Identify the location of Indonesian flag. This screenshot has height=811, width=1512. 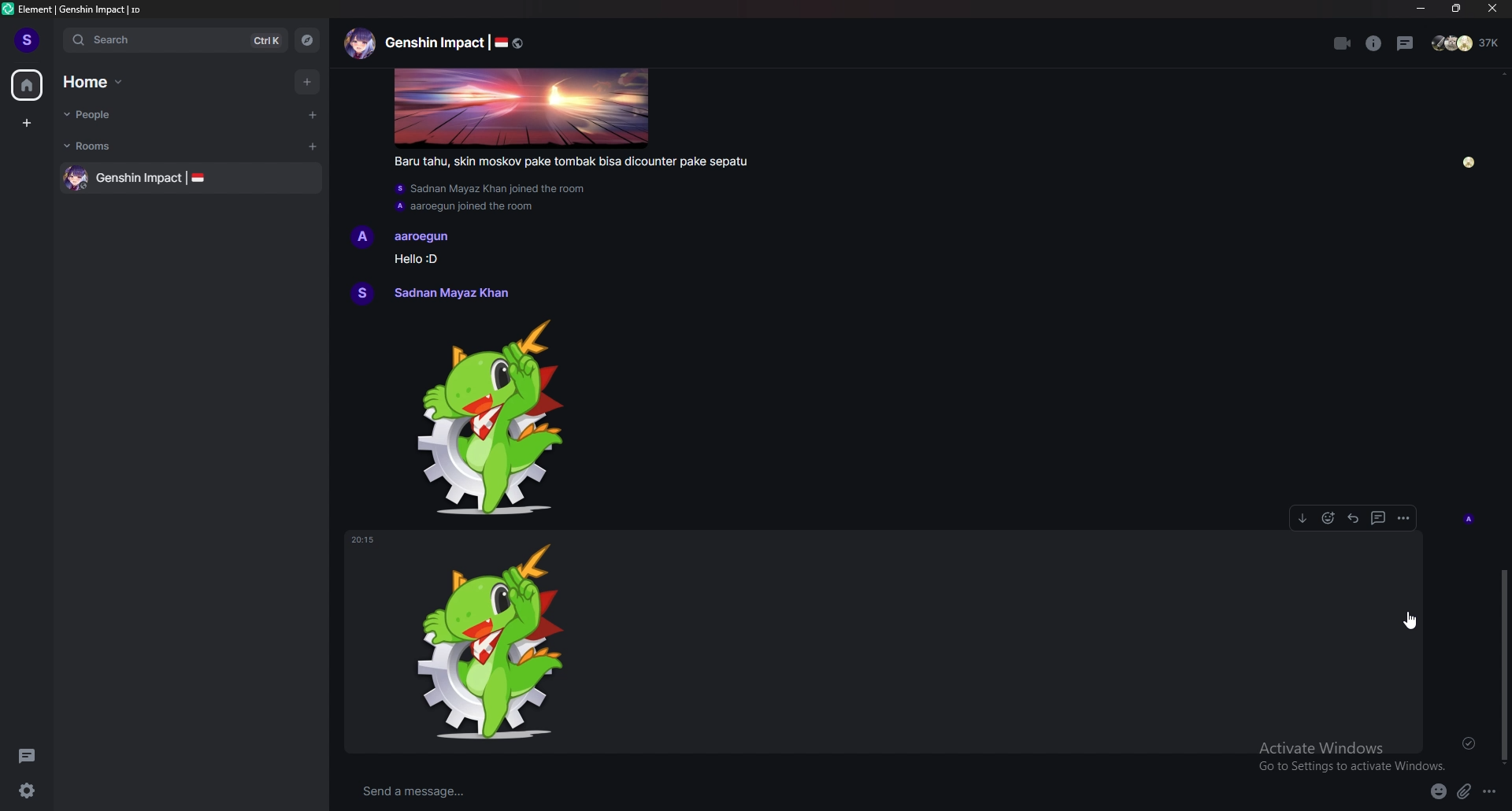
(198, 177).